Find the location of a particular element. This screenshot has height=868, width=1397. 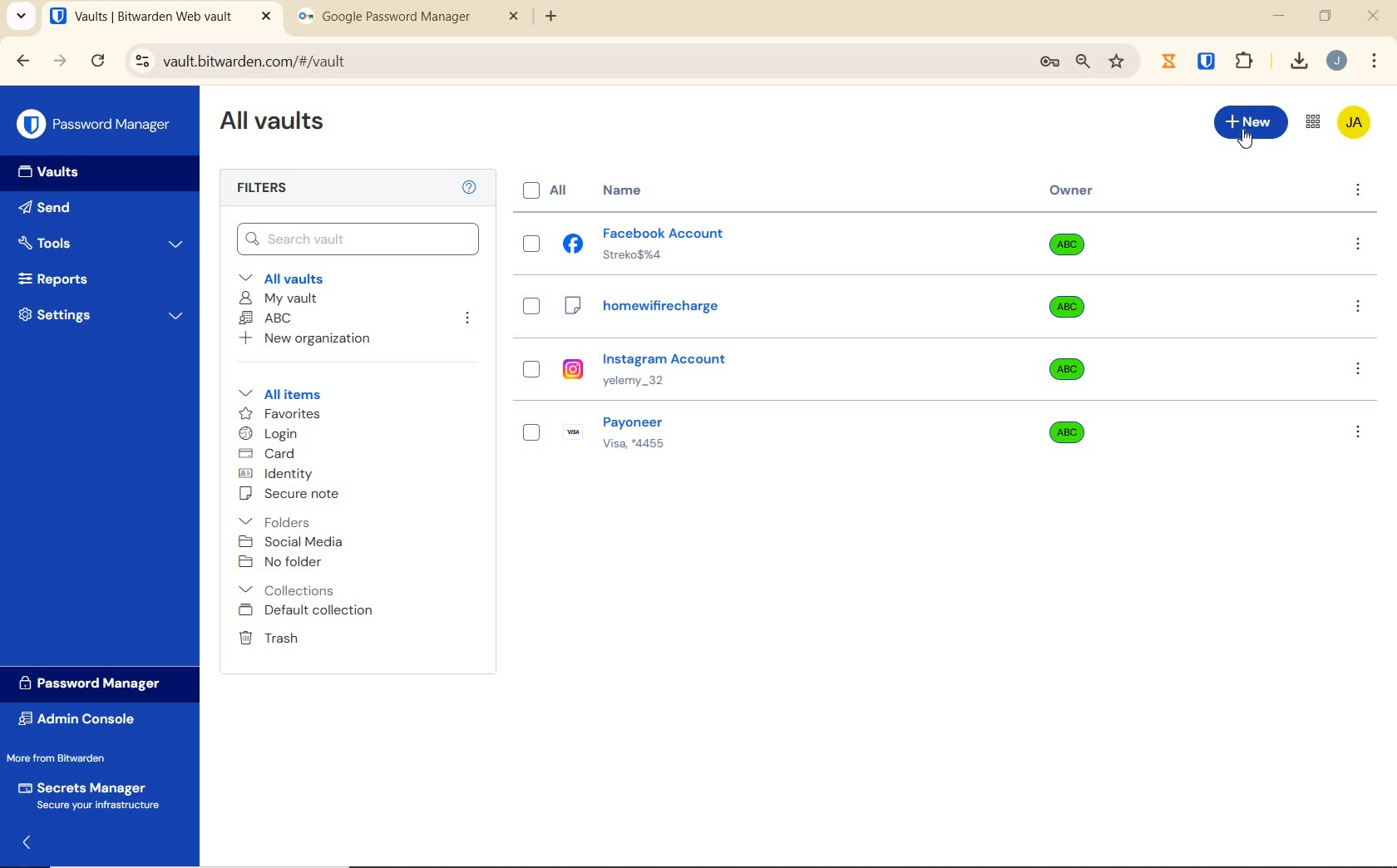

check box is located at coordinates (525, 377).